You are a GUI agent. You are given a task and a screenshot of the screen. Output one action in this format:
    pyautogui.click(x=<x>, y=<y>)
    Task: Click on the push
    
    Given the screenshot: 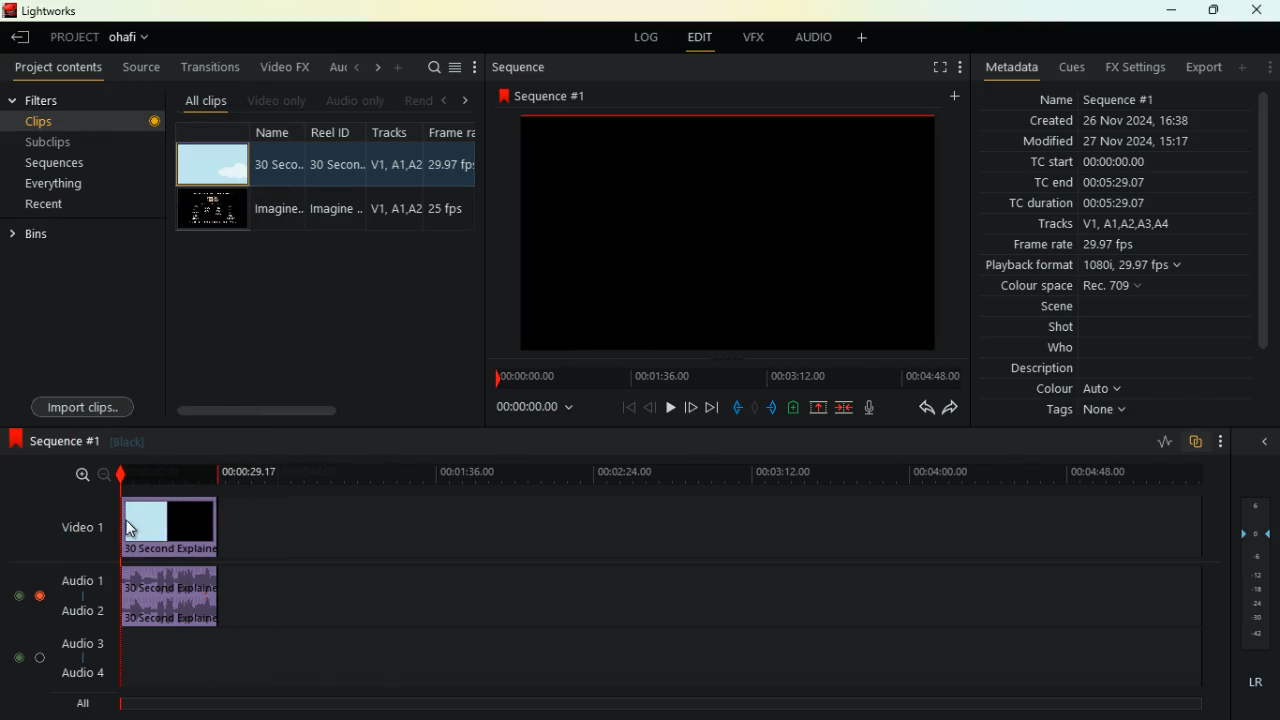 What is the action you would take?
    pyautogui.click(x=774, y=408)
    